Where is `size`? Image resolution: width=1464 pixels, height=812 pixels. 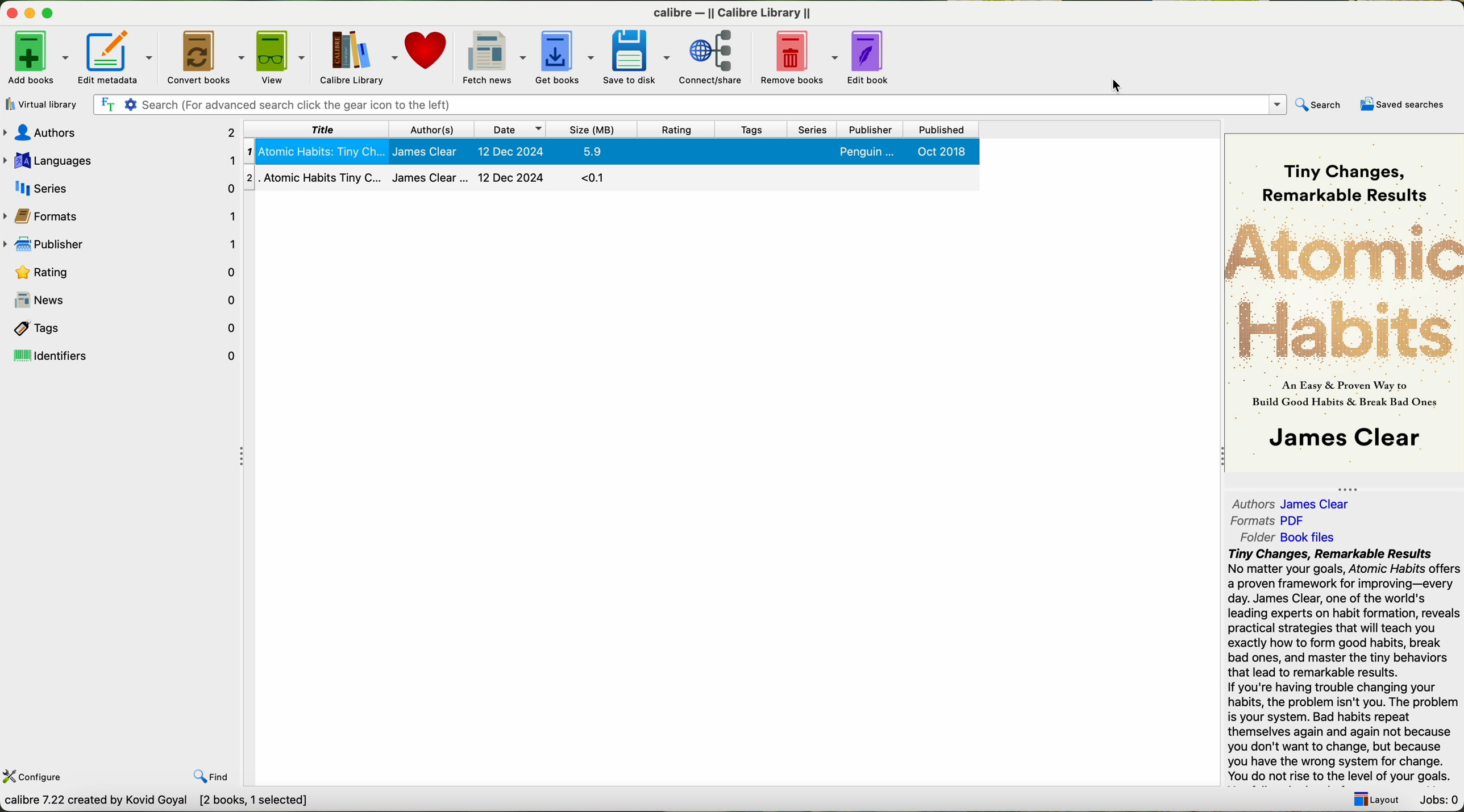
size is located at coordinates (587, 128).